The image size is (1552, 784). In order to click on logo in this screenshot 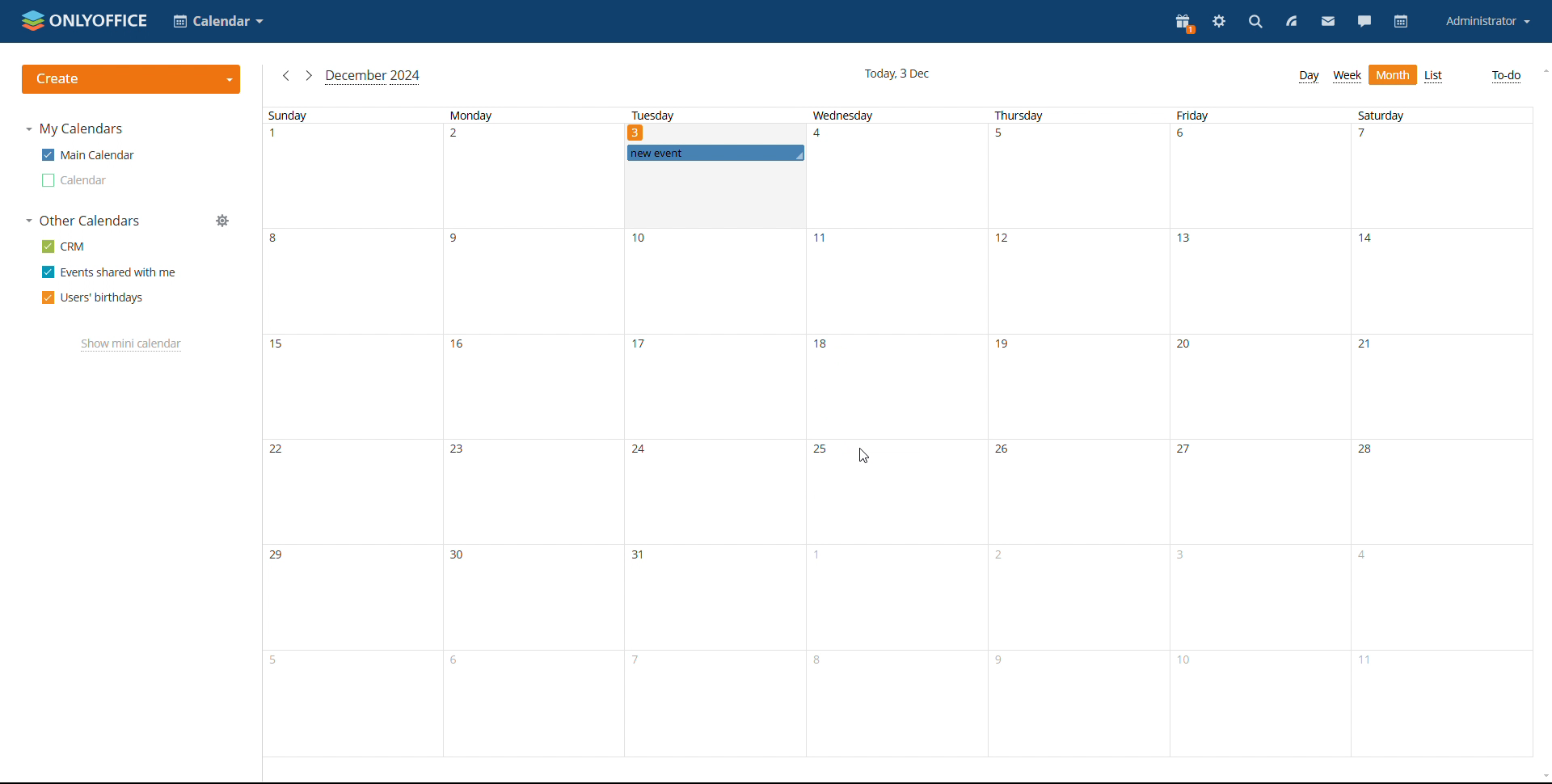, I will do `click(85, 20)`.